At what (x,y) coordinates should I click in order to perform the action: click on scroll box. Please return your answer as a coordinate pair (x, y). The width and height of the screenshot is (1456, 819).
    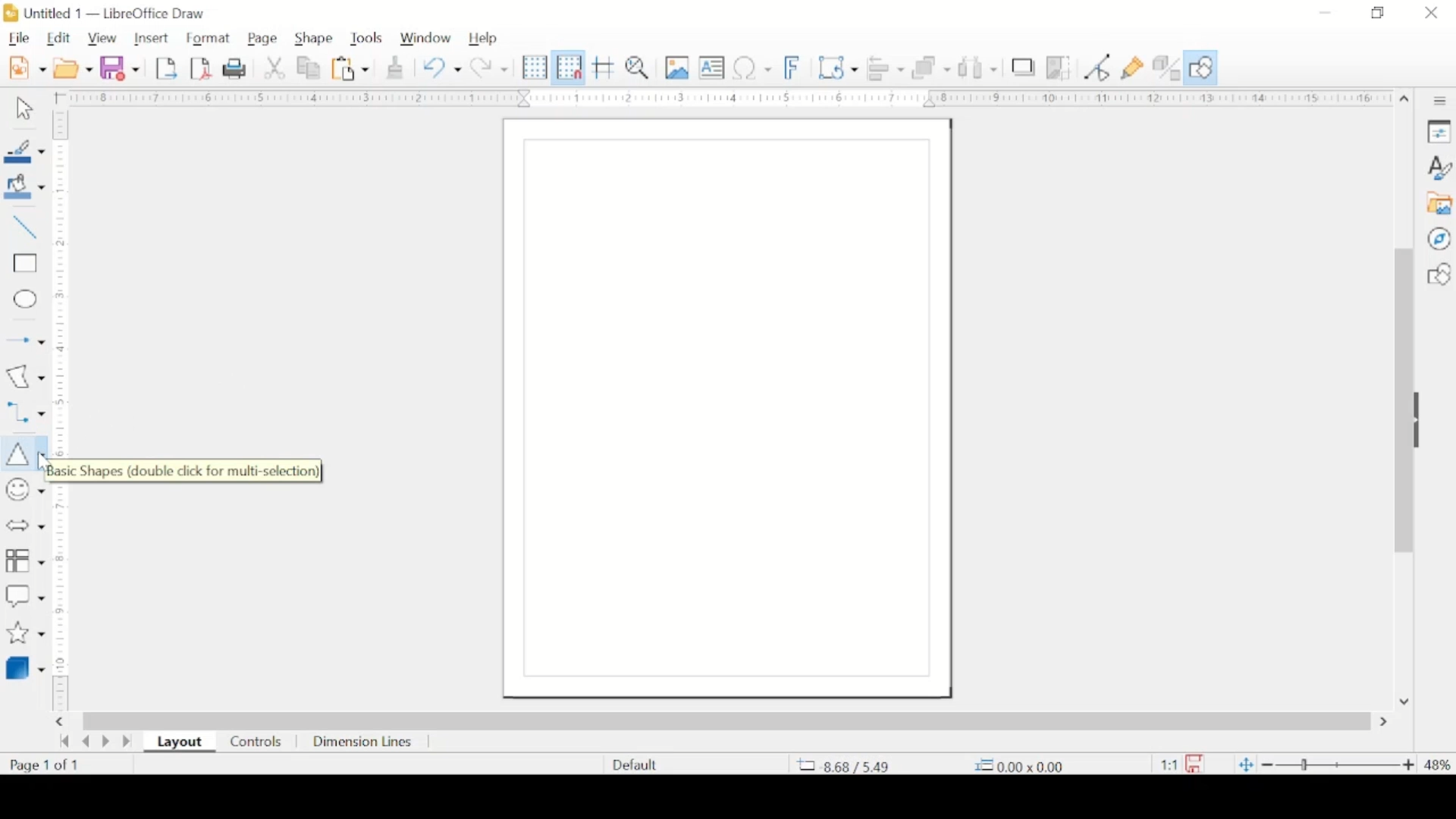
    Looking at the image, I should click on (1400, 403).